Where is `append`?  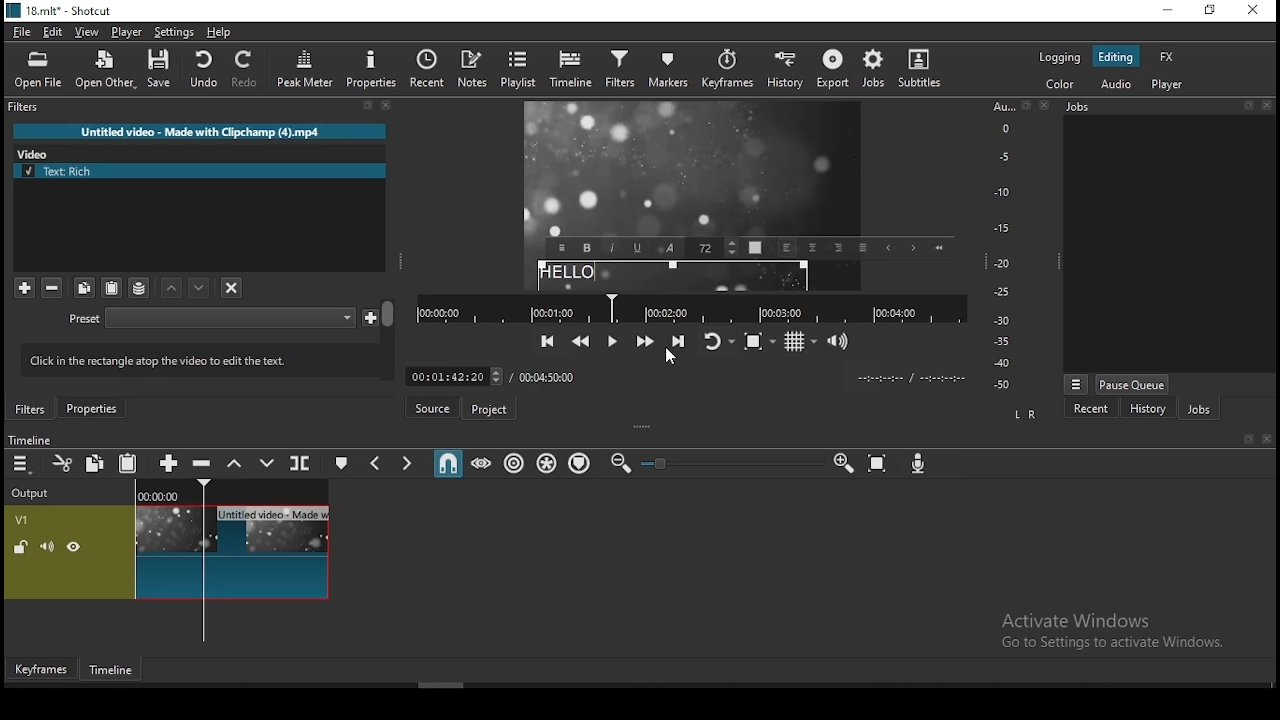
append is located at coordinates (171, 462).